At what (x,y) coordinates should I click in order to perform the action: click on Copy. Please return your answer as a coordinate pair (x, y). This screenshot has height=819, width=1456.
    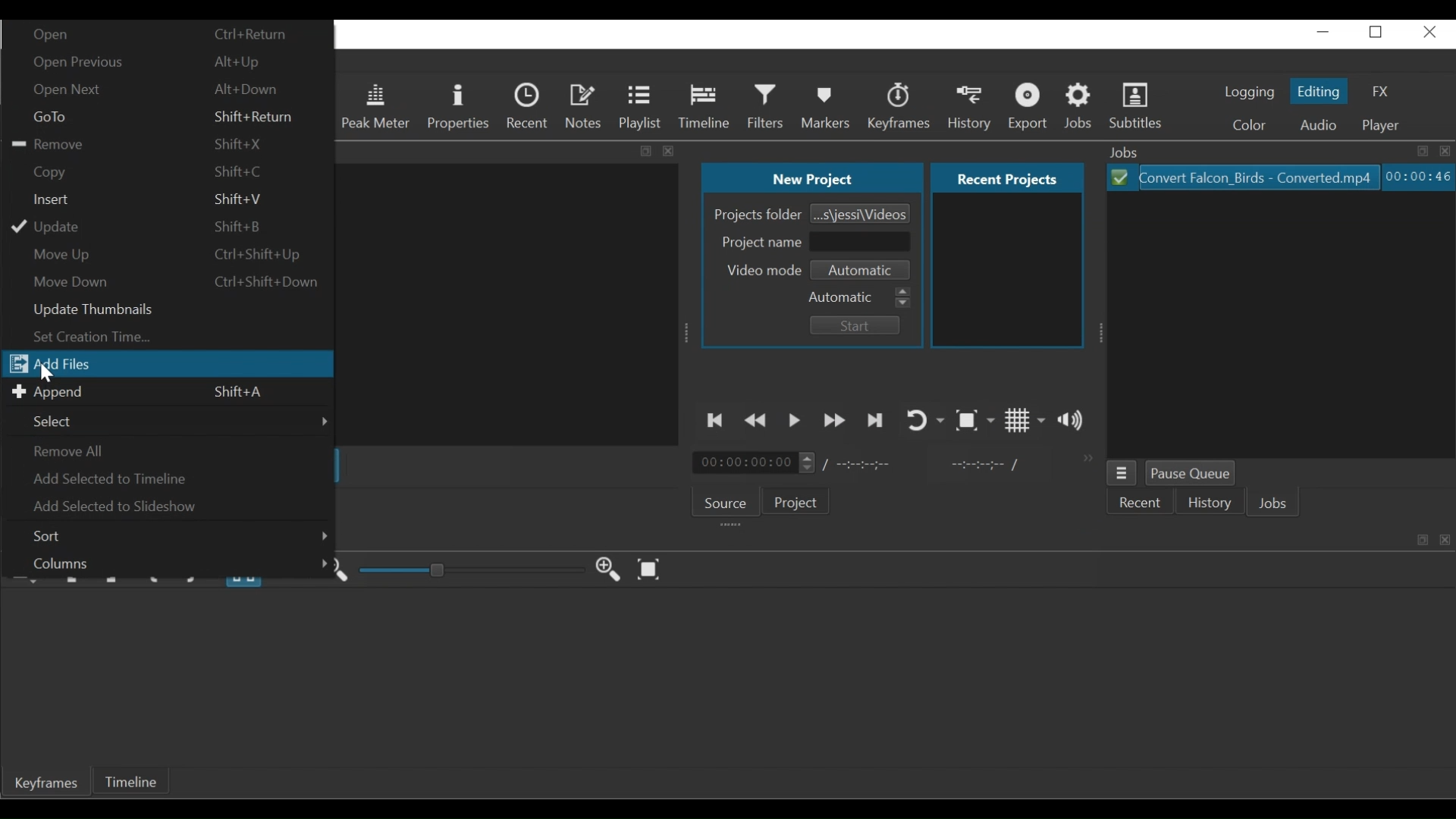
    Looking at the image, I should click on (169, 172).